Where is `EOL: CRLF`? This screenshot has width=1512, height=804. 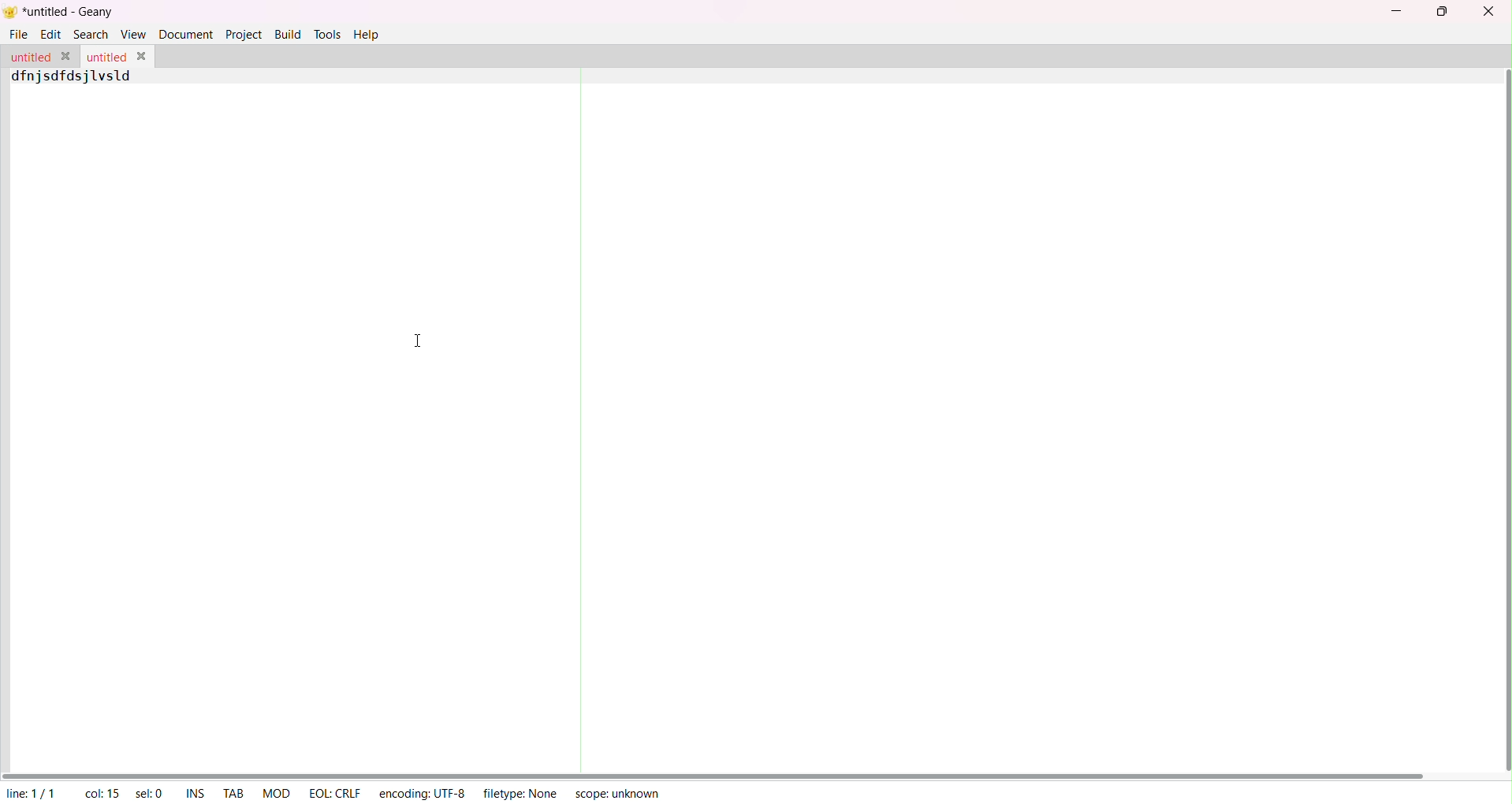
EOL: CRLF is located at coordinates (334, 793).